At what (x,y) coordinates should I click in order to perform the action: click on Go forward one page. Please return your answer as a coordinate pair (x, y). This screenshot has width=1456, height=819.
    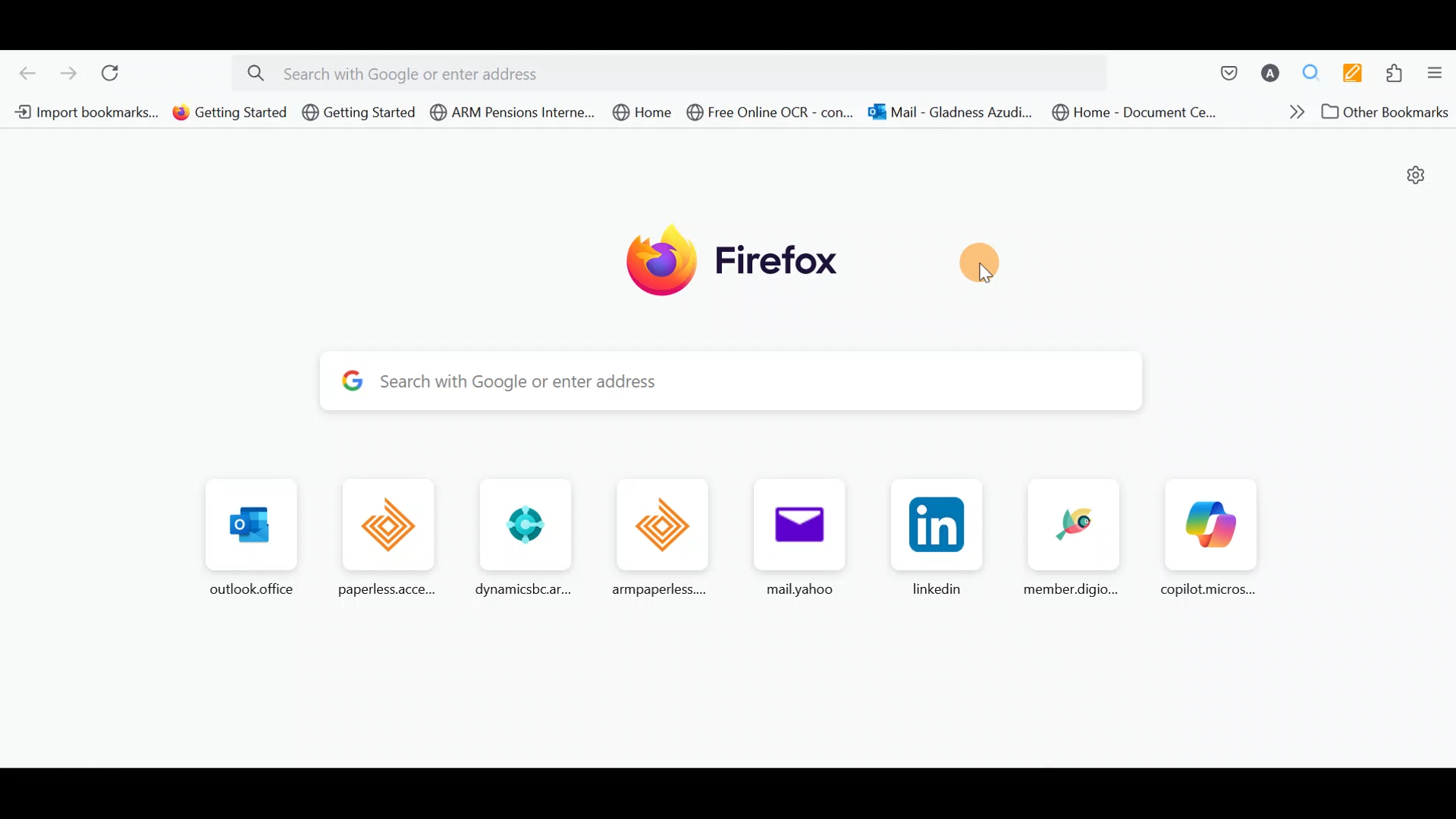
    Looking at the image, I should click on (67, 71).